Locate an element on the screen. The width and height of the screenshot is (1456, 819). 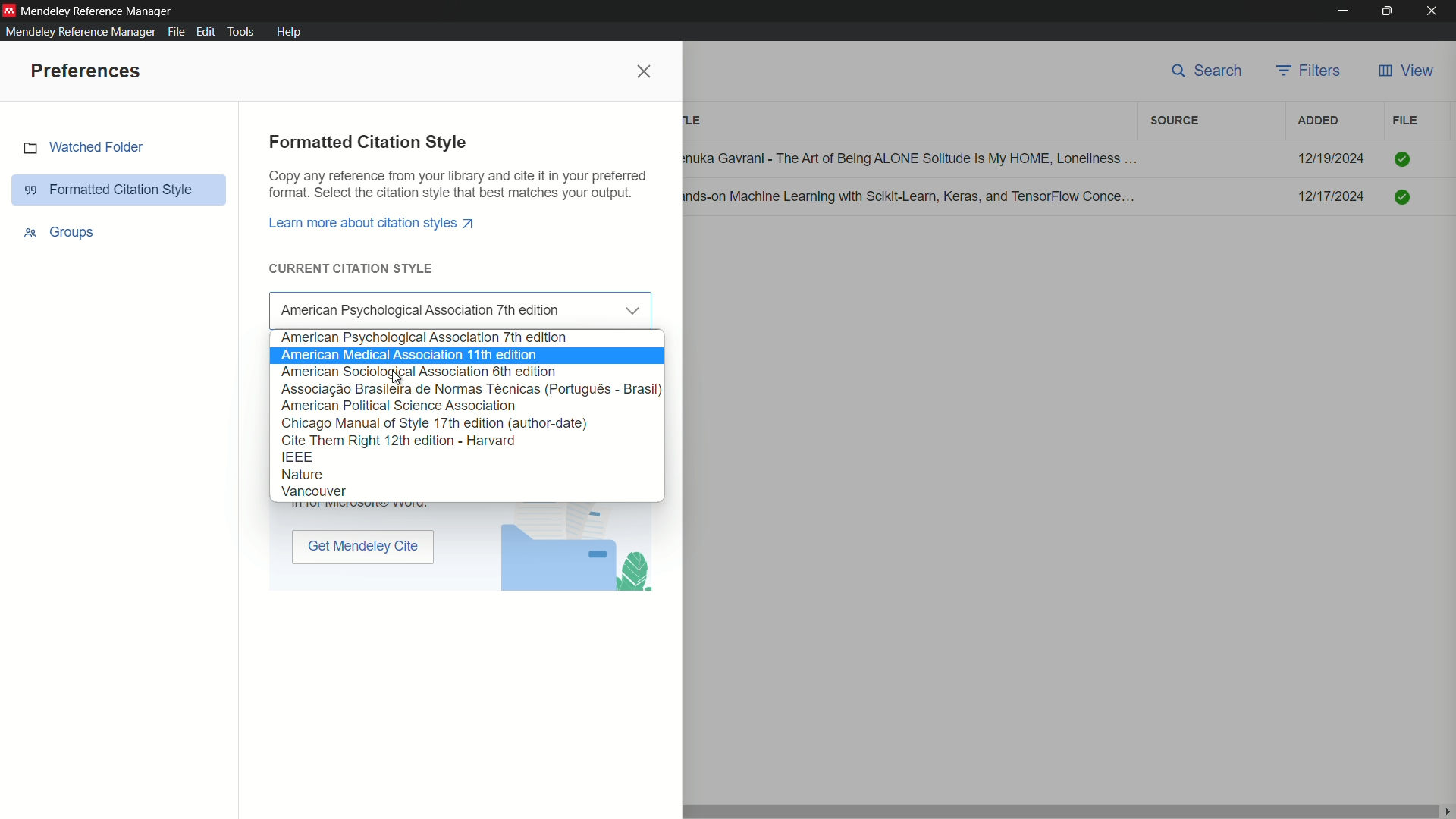
12/19/2024 is located at coordinates (1332, 158).